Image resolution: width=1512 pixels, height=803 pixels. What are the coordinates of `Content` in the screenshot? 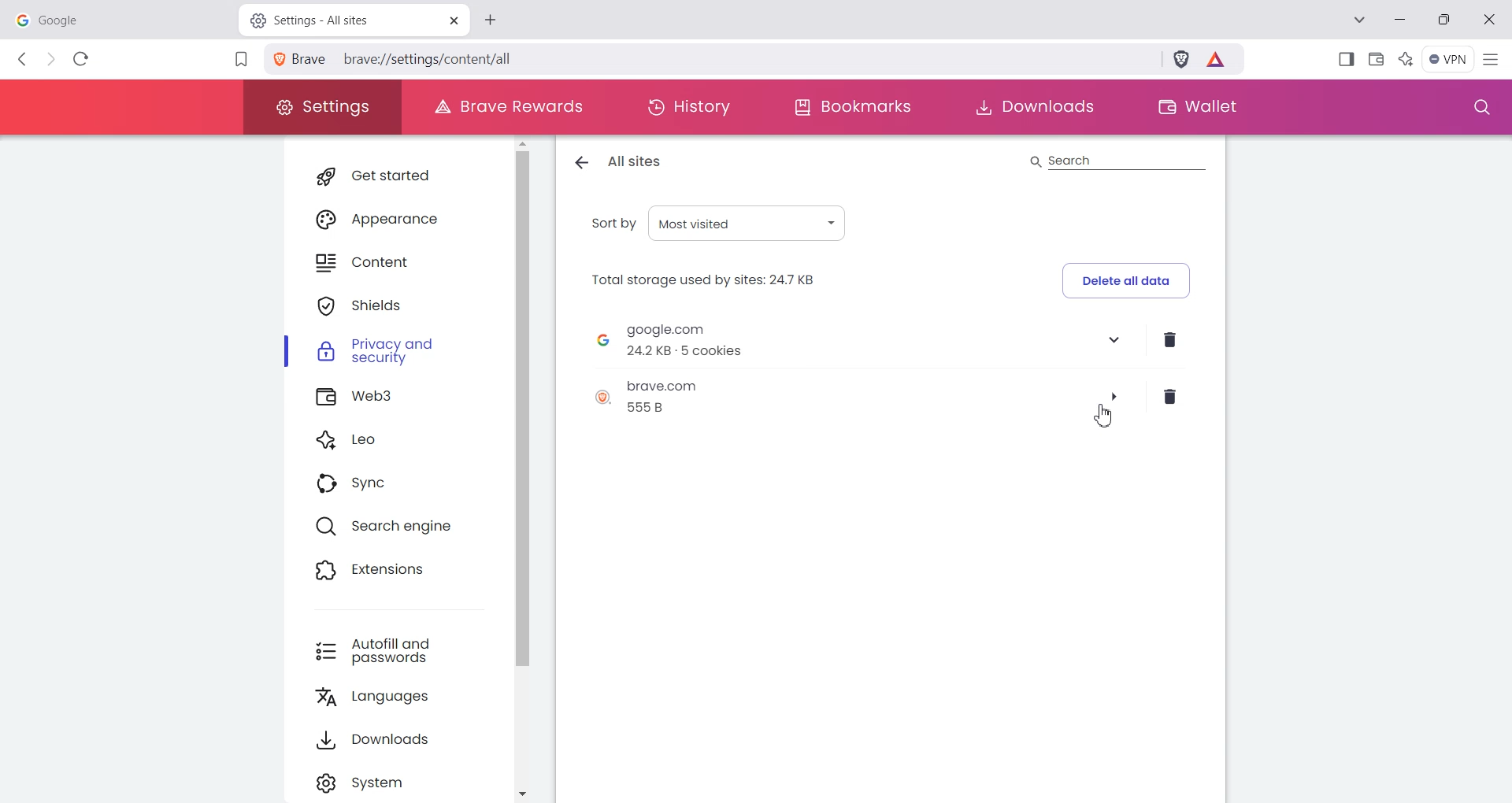 It's located at (388, 263).